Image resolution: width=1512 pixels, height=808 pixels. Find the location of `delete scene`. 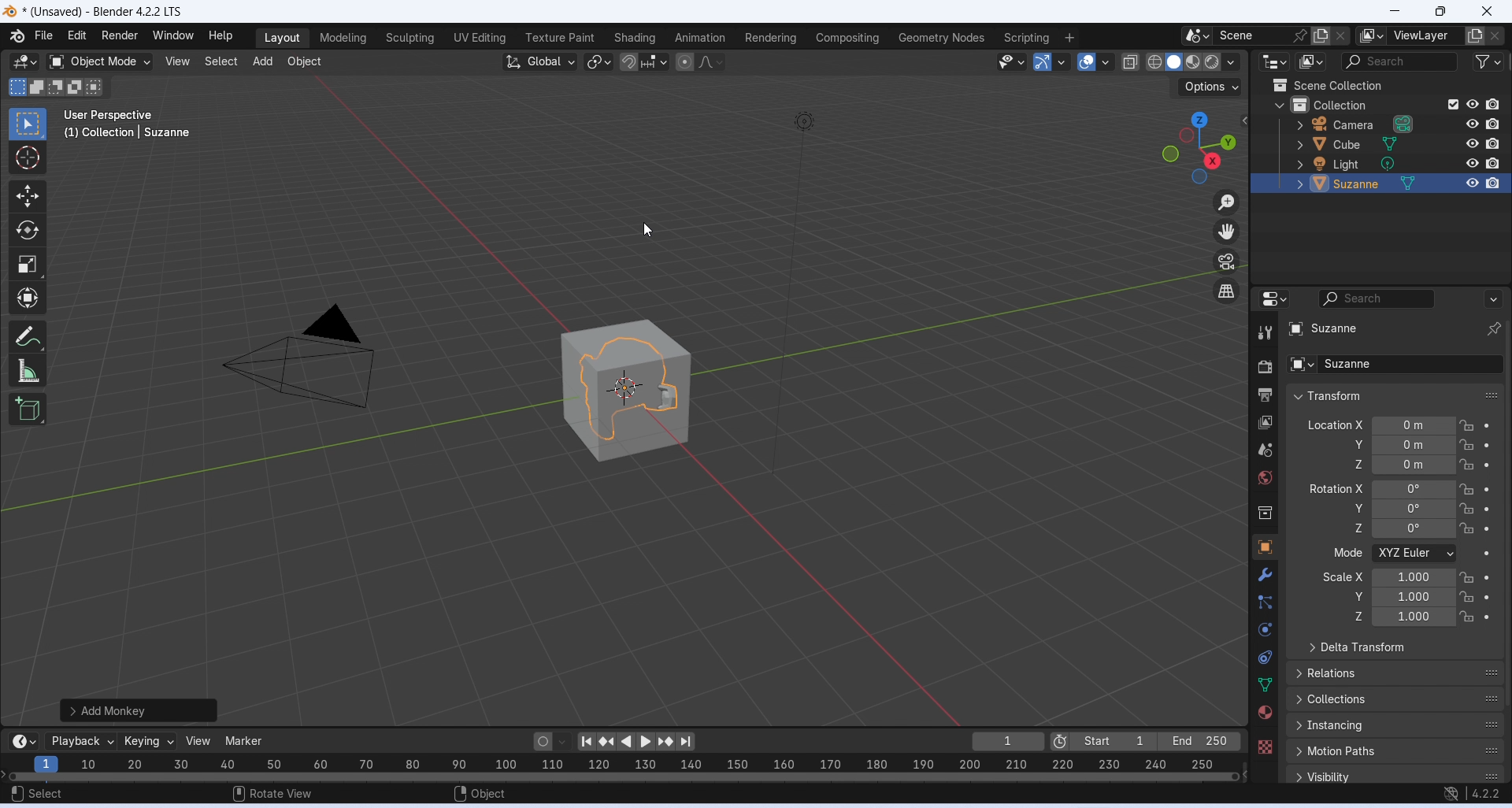

delete scene is located at coordinates (1341, 35).